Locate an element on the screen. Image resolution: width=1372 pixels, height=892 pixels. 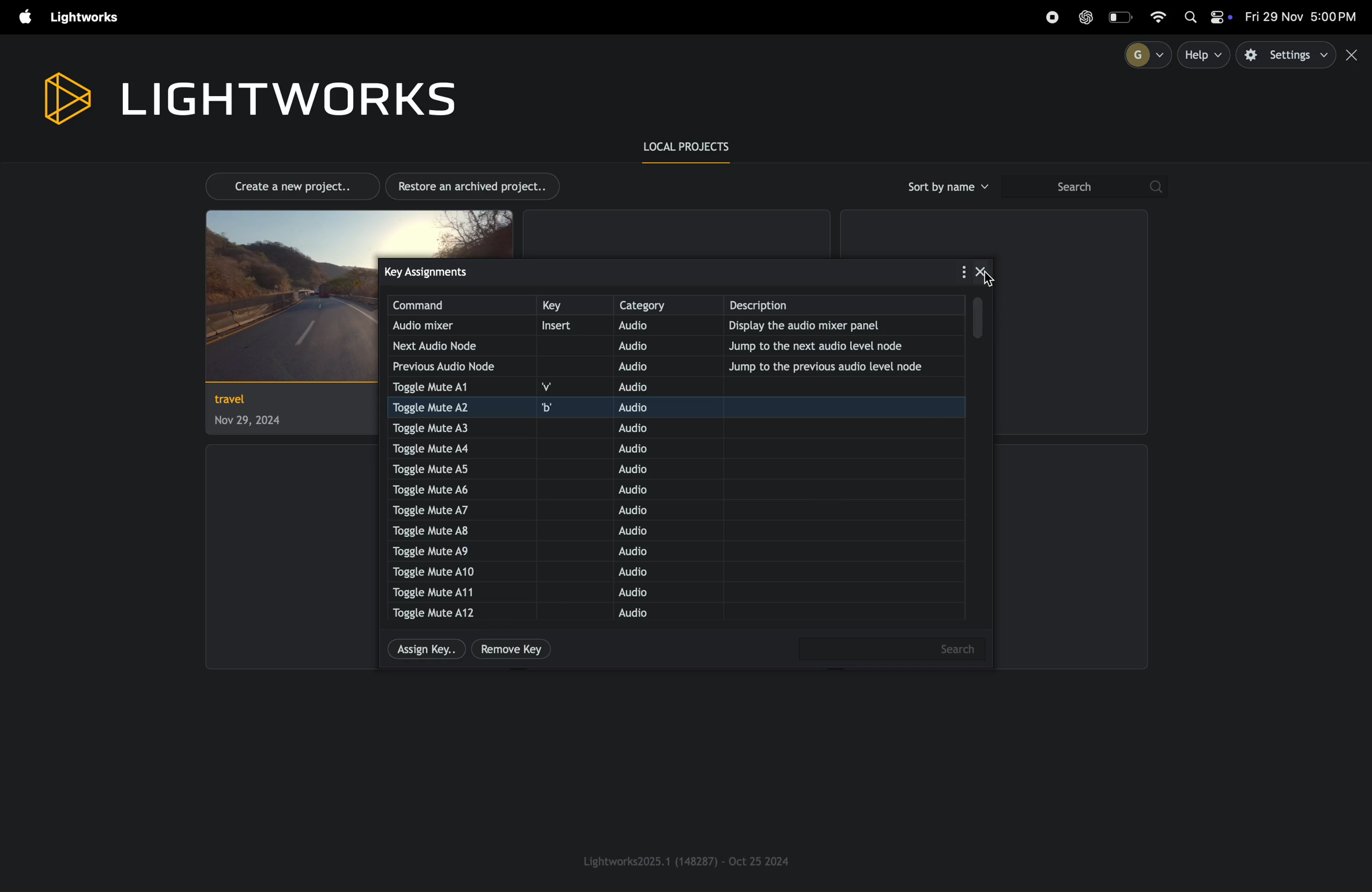
chatgpt is located at coordinates (1086, 17).